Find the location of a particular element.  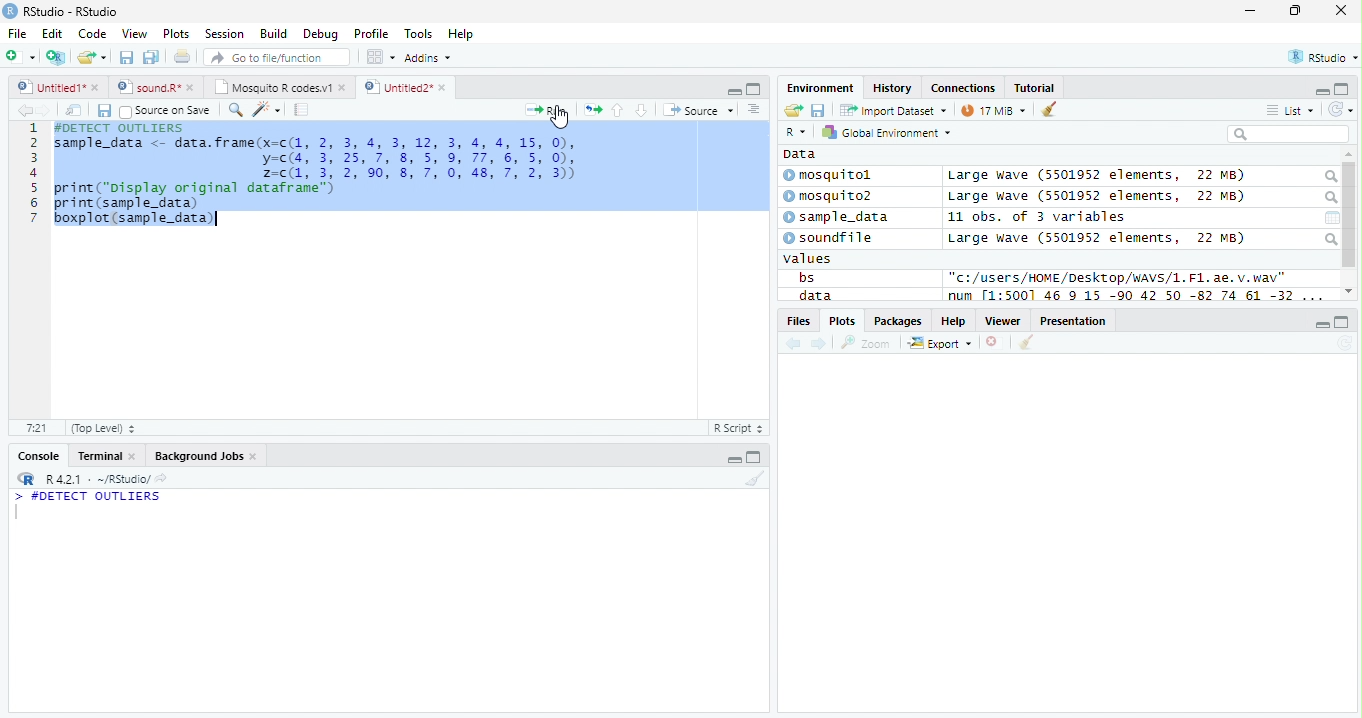

minimize is located at coordinates (1322, 323).